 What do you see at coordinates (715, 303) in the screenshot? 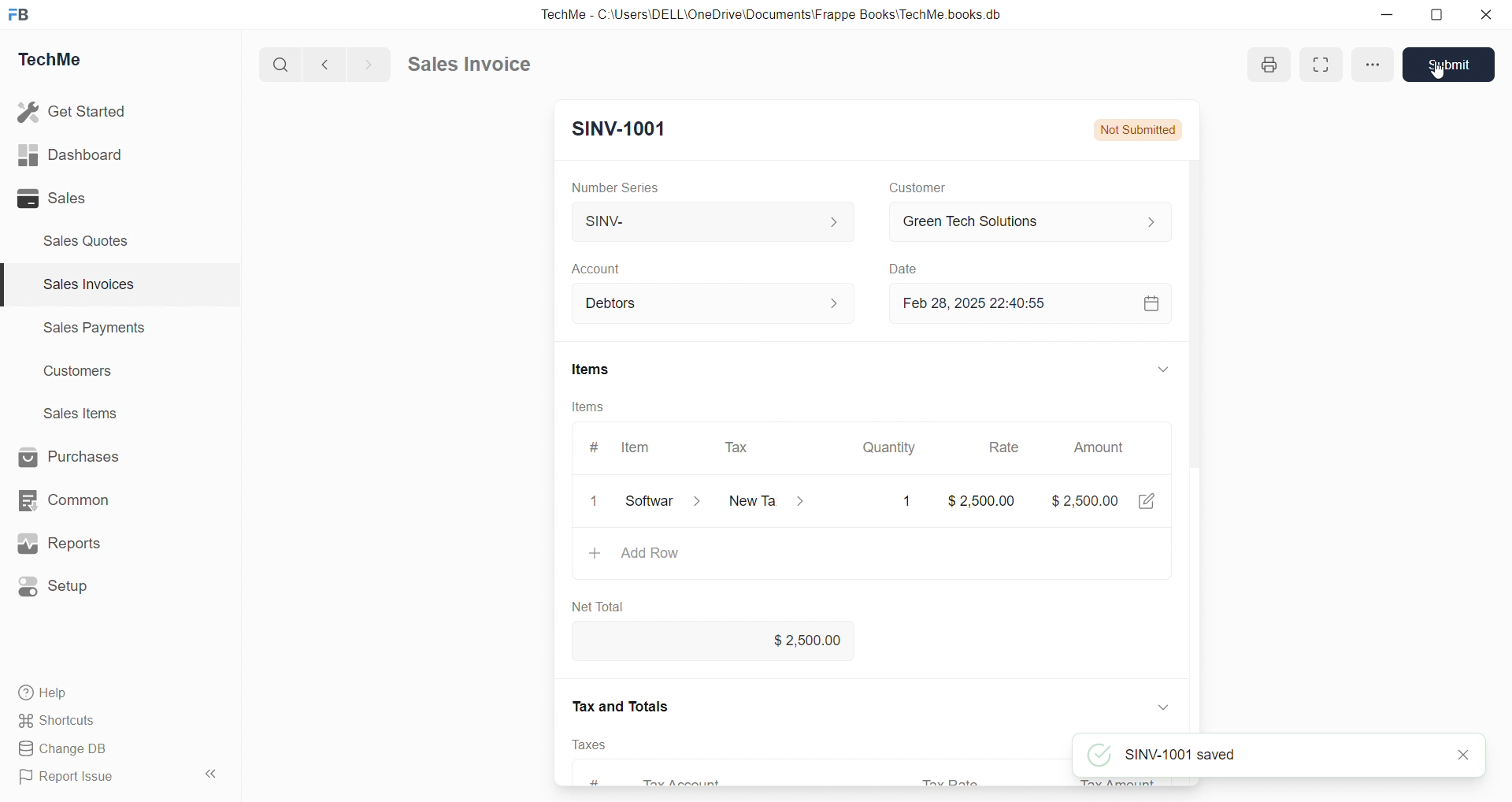
I see `Debtors` at bounding box center [715, 303].